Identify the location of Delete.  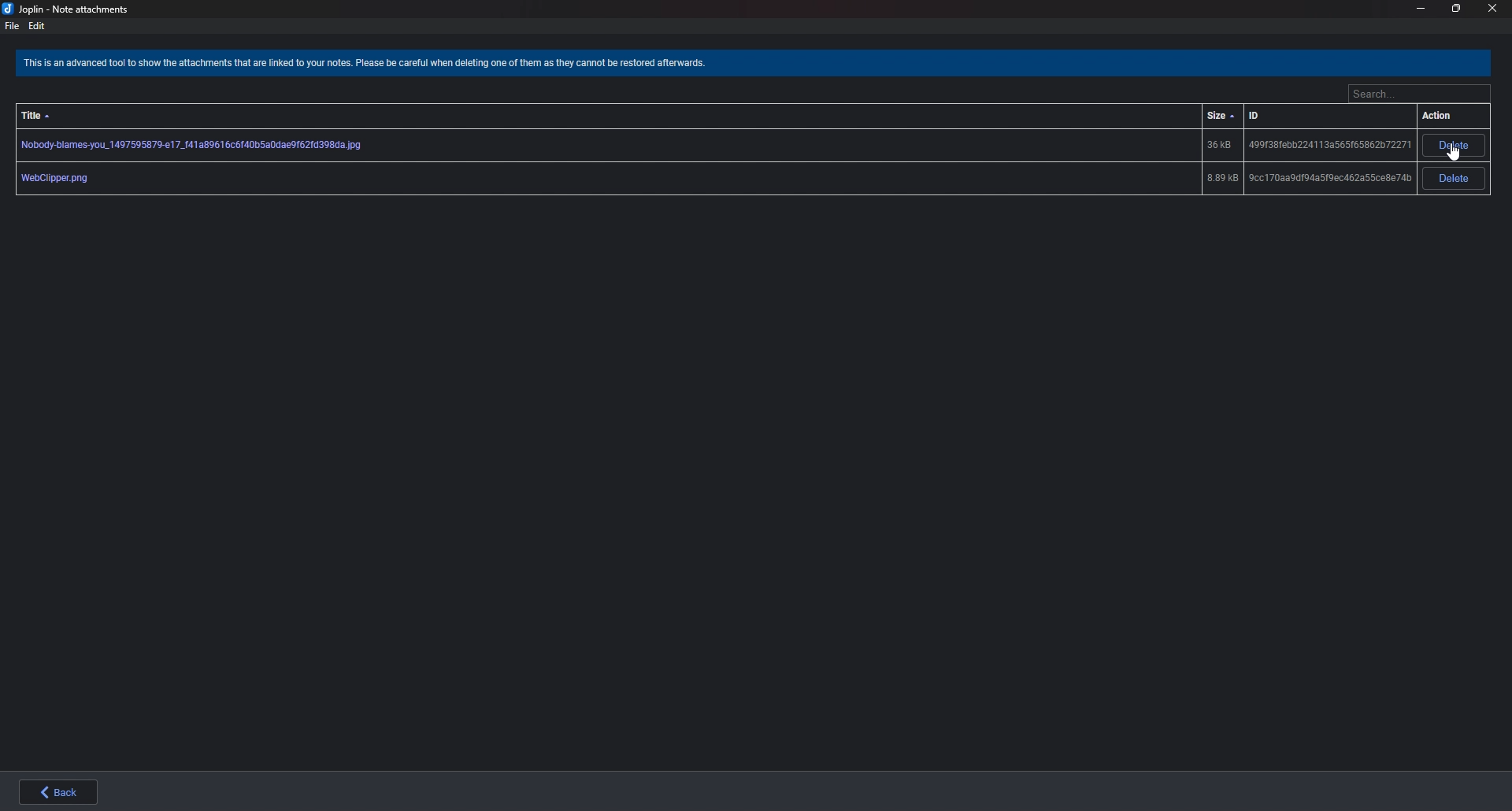
(1455, 178).